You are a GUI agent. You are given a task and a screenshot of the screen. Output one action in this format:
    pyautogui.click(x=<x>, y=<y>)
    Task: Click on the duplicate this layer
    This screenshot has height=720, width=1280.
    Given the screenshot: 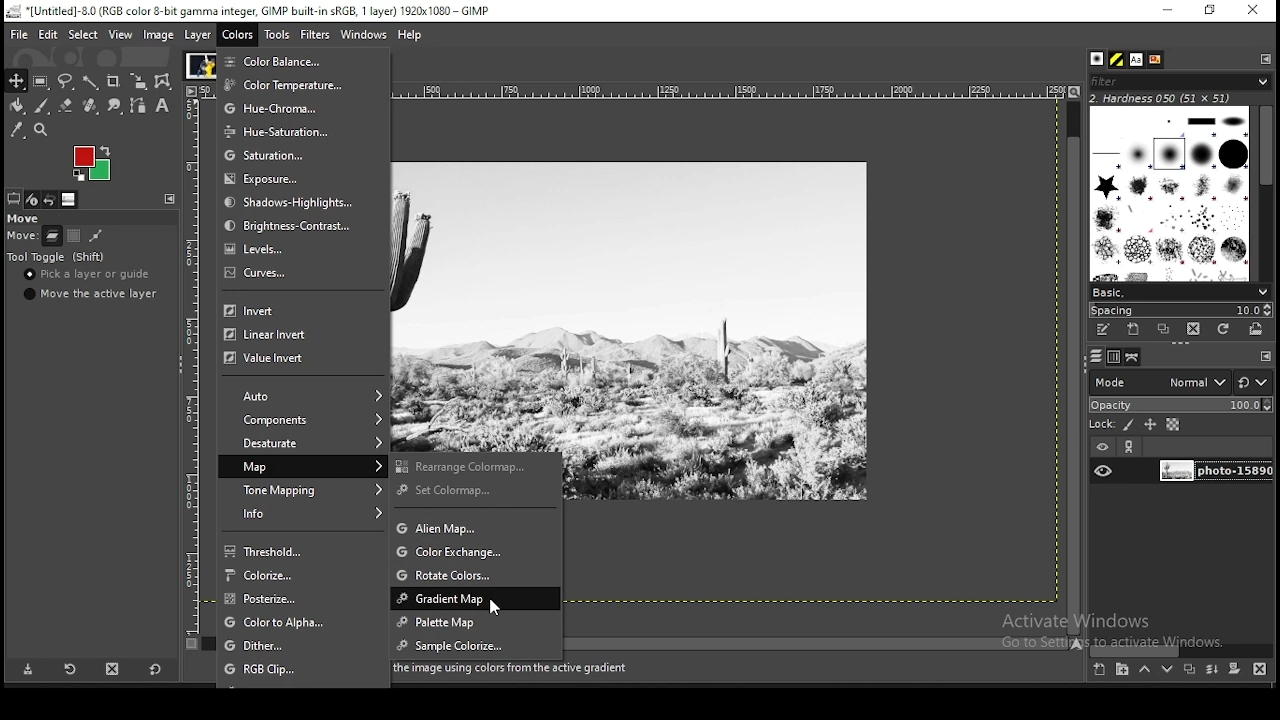 What is the action you would take?
    pyautogui.click(x=1188, y=669)
    